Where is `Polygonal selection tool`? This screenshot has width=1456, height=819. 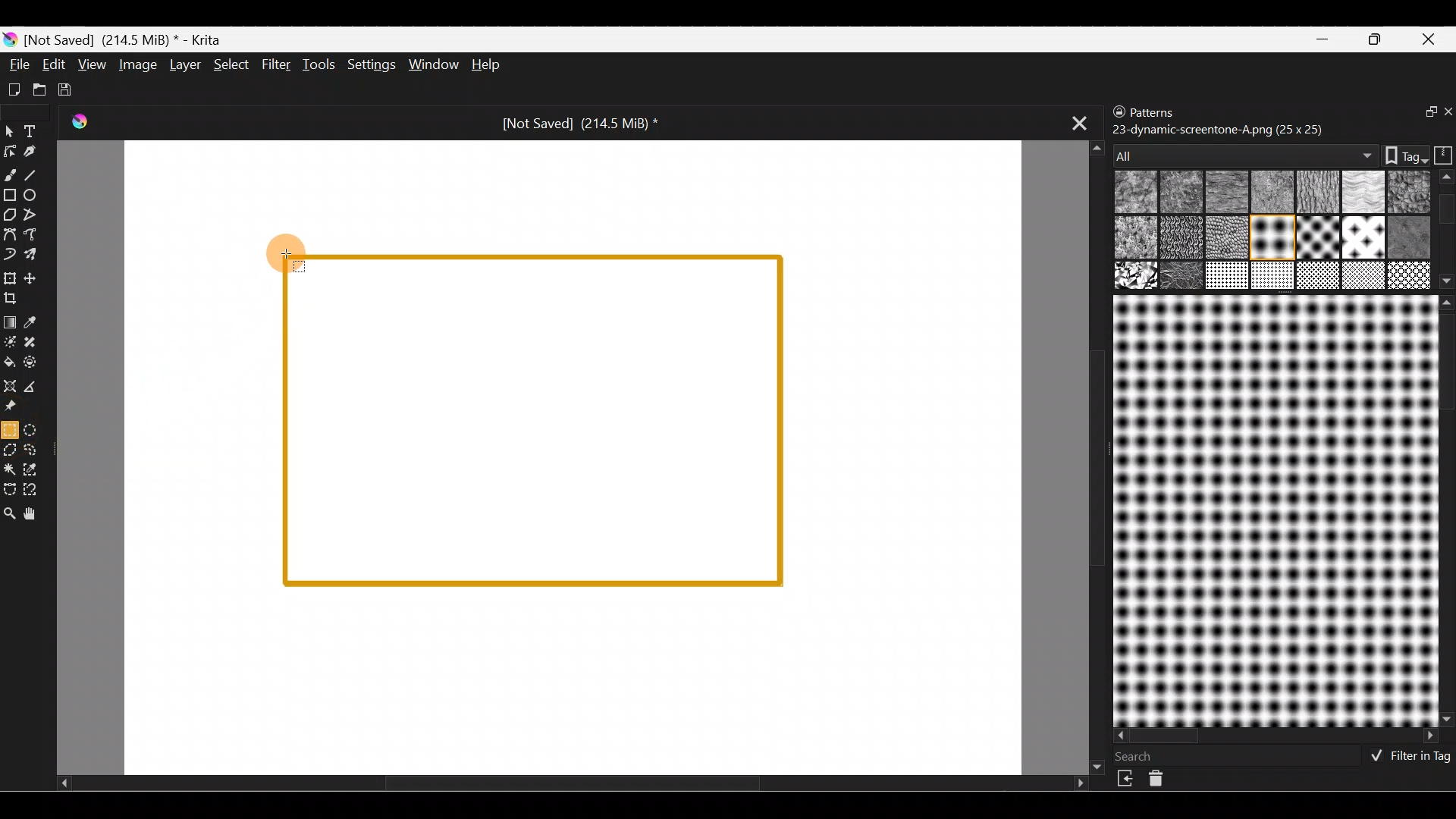
Polygonal selection tool is located at coordinates (11, 449).